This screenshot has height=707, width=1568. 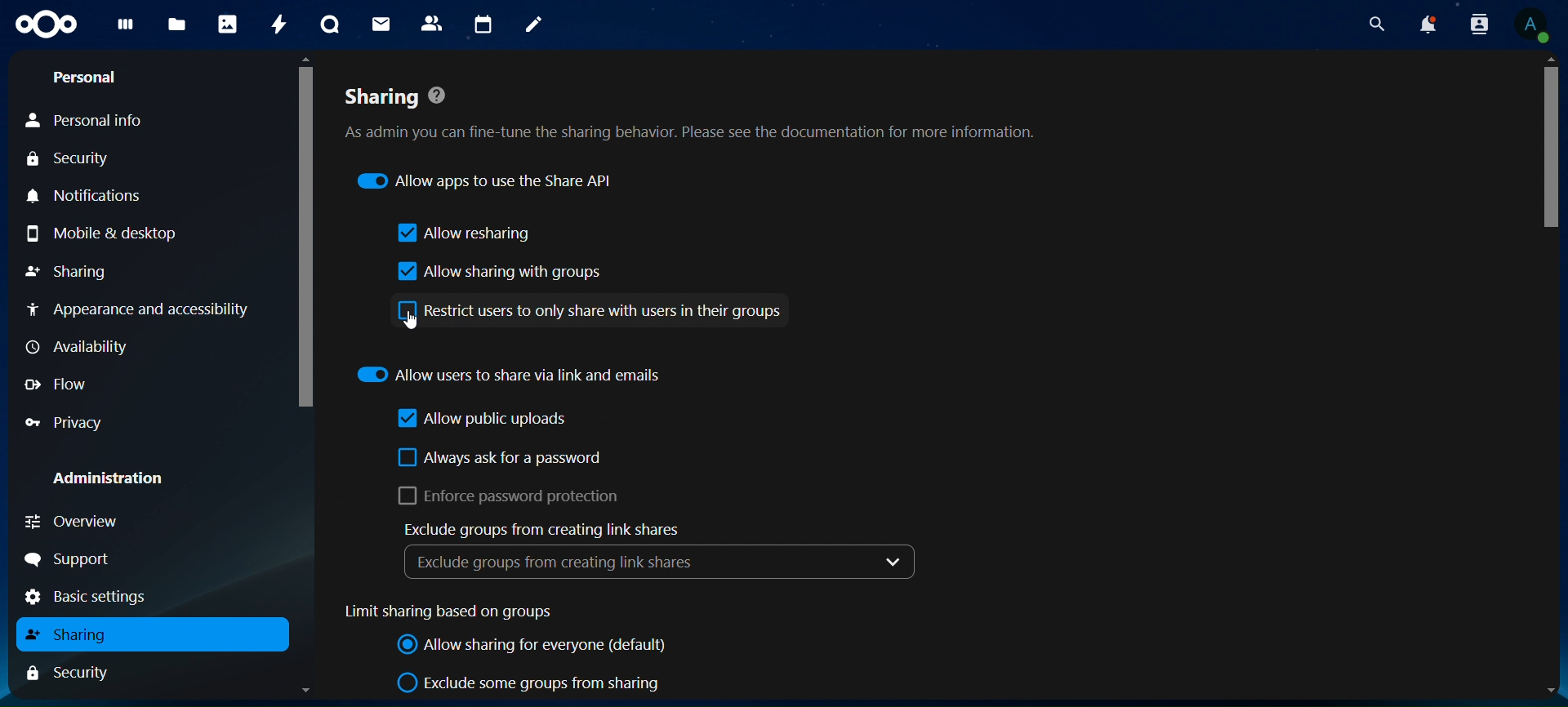 What do you see at coordinates (537, 26) in the screenshot?
I see `notes` at bounding box center [537, 26].